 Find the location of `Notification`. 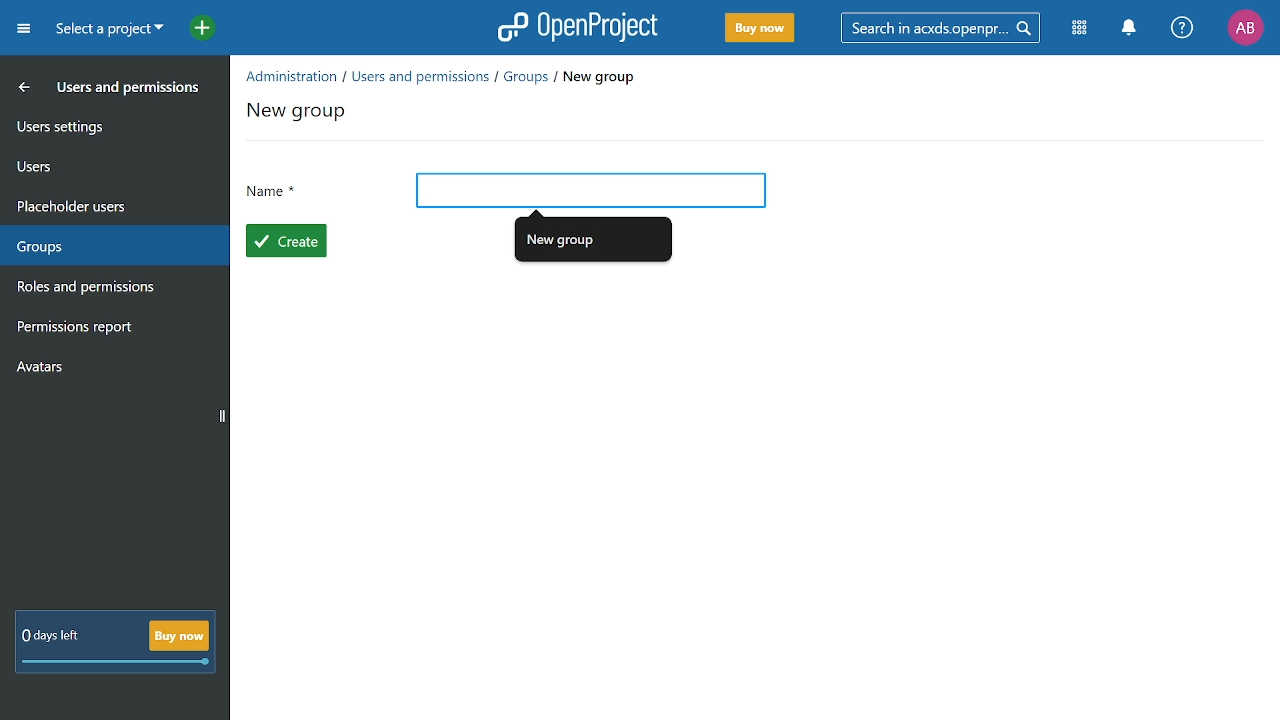

Notification is located at coordinates (1128, 28).